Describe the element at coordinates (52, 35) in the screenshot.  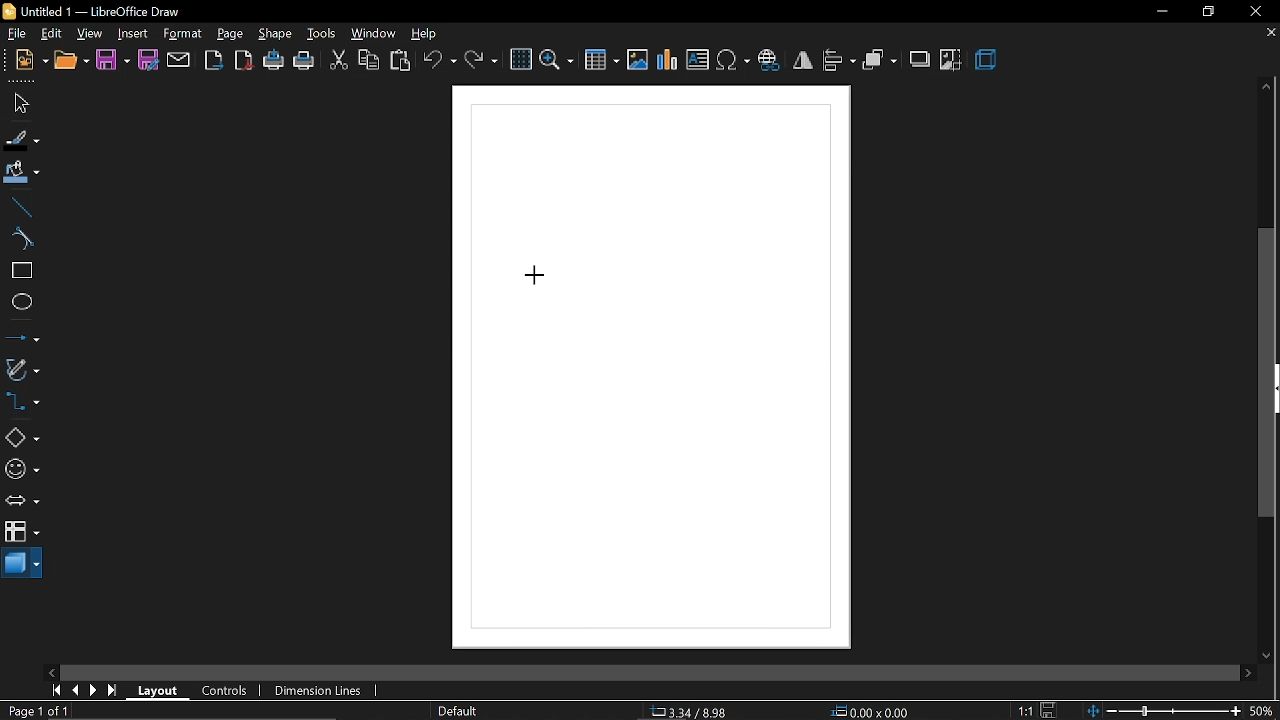
I see `edit` at that location.